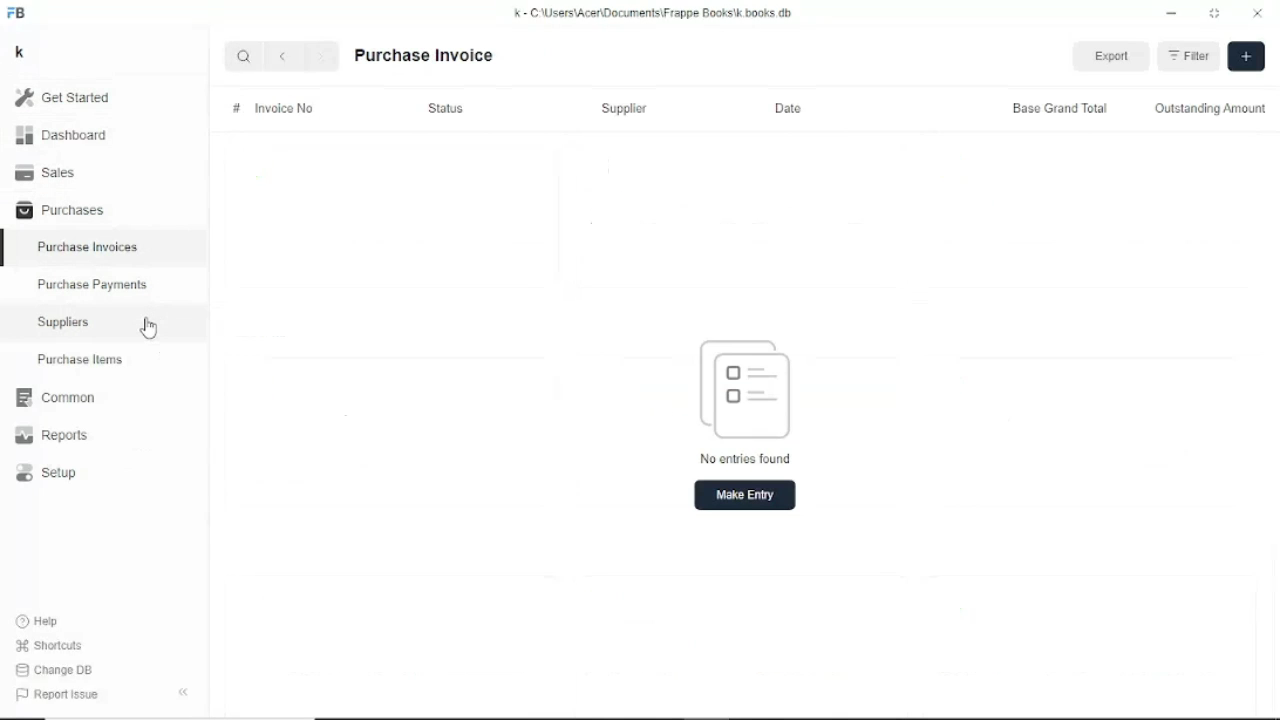 Image resolution: width=1280 pixels, height=720 pixels. What do you see at coordinates (787, 106) in the screenshot?
I see `Date` at bounding box center [787, 106].